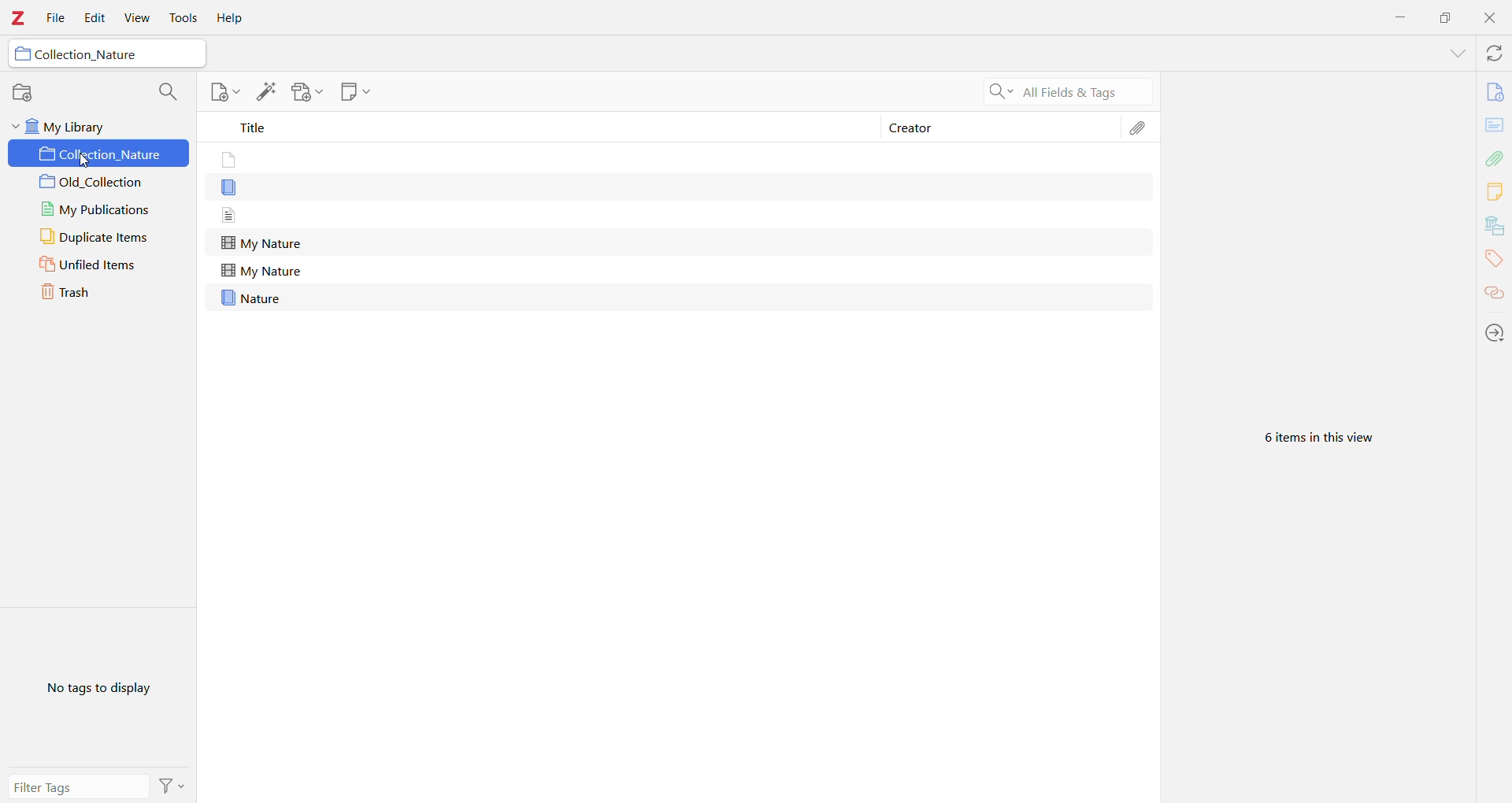  I want to click on No tags to display, so click(98, 688).